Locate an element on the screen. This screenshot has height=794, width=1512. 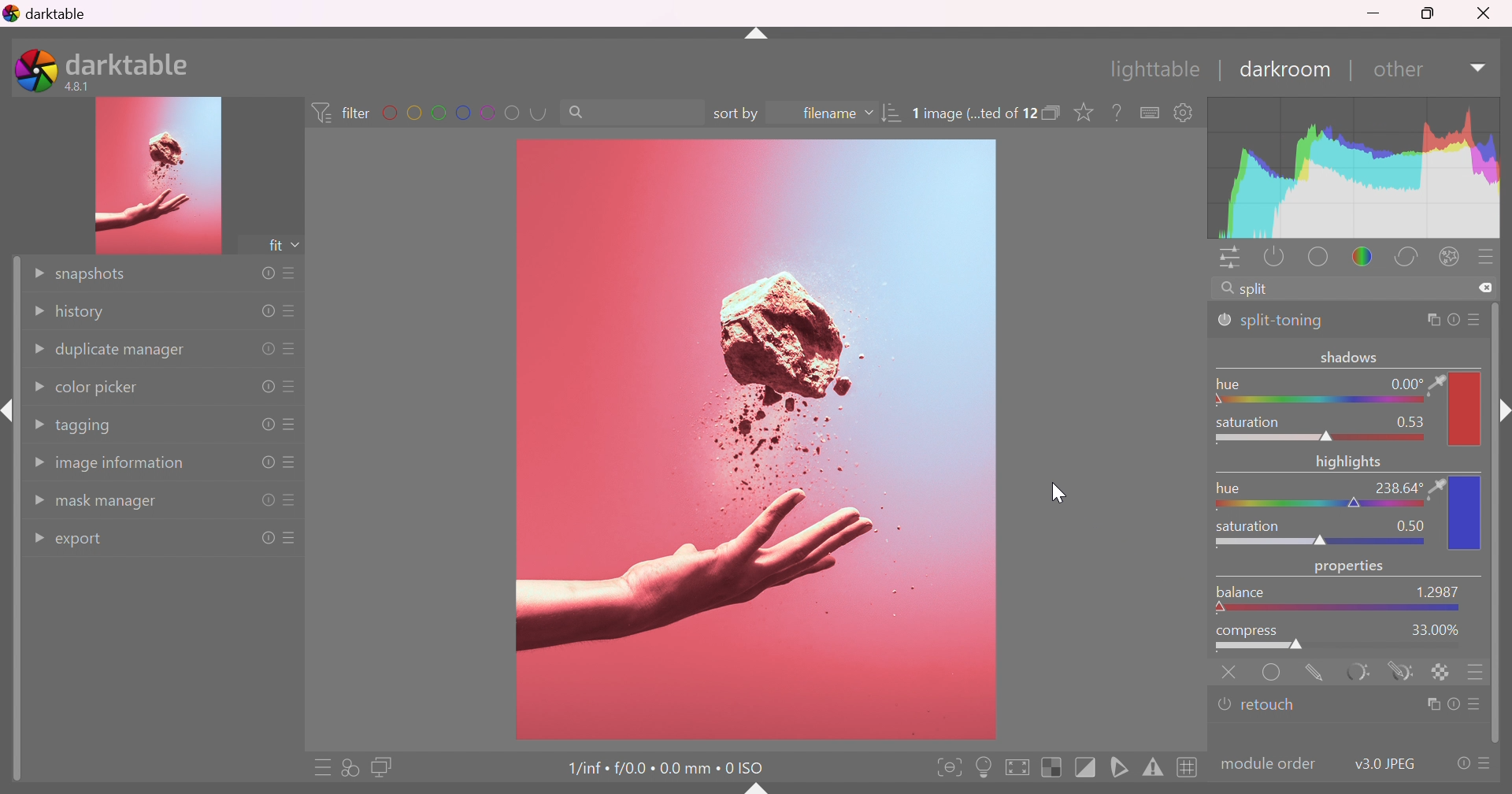
color picker is located at coordinates (1435, 486).